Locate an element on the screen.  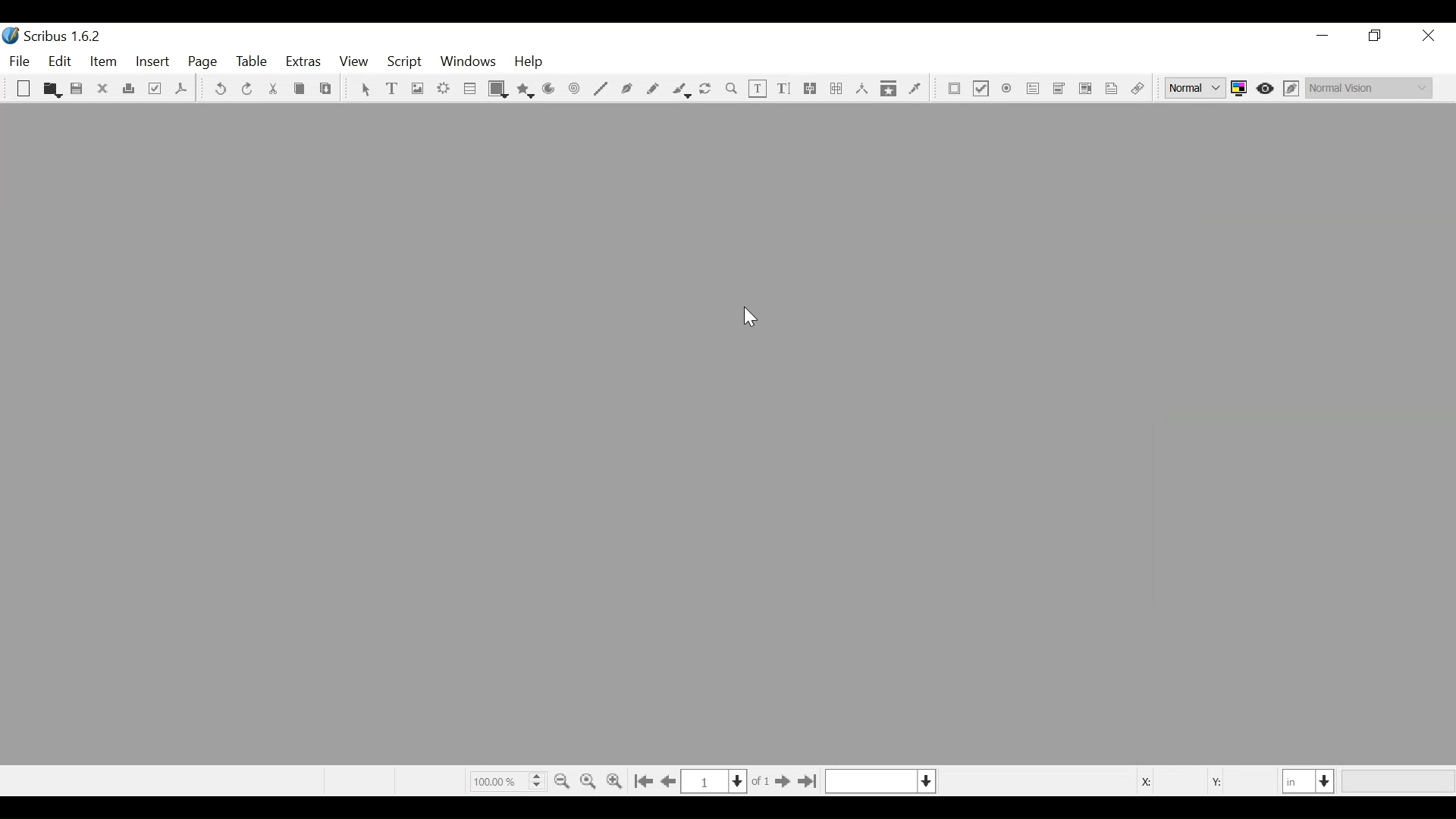
Scribus Desktop Icon is located at coordinates (56, 38).